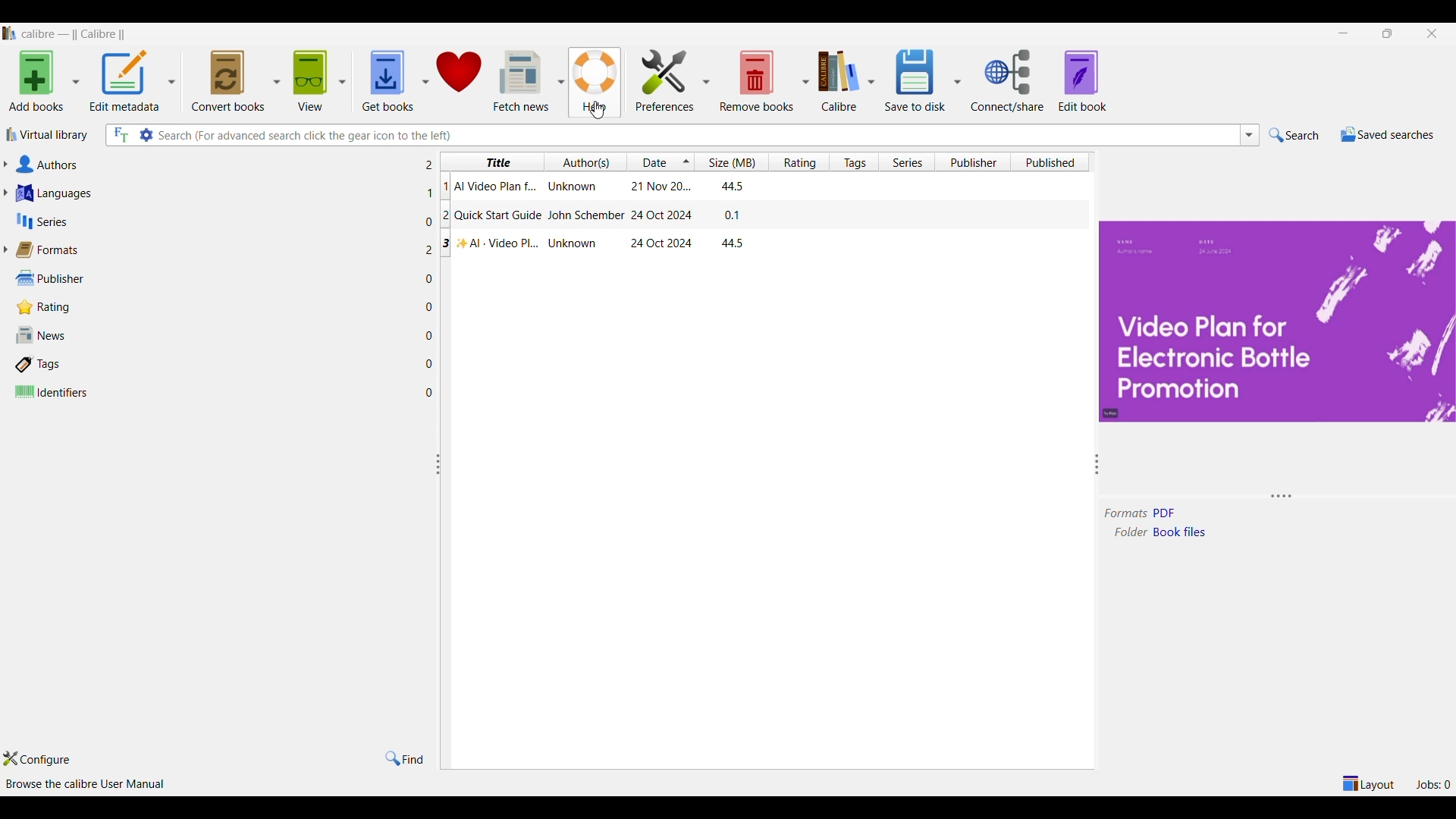 The image size is (1456, 819). What do you see at coordinates (1280, 497) in the screenshot?
I see `Change height of panels attached to this line` at bounding box center [1280, 497].